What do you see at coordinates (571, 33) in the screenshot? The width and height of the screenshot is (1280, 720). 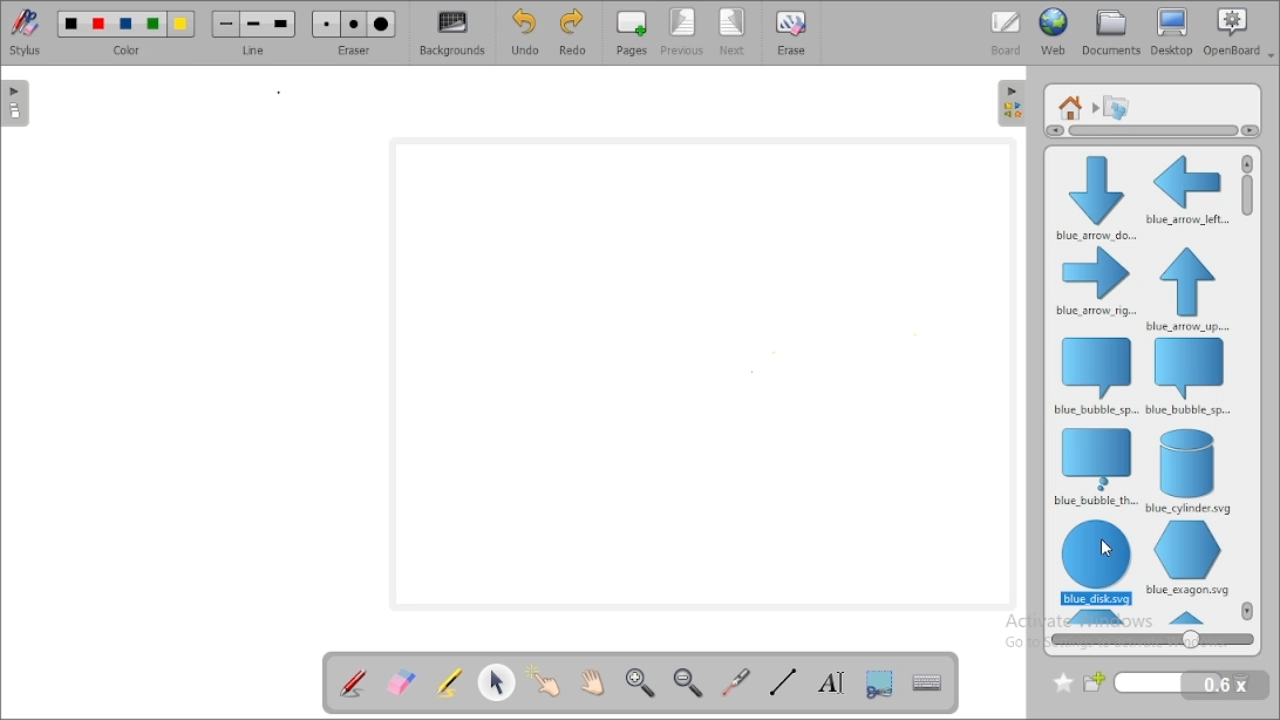 I see `redo` at bounding box center [571, 33].